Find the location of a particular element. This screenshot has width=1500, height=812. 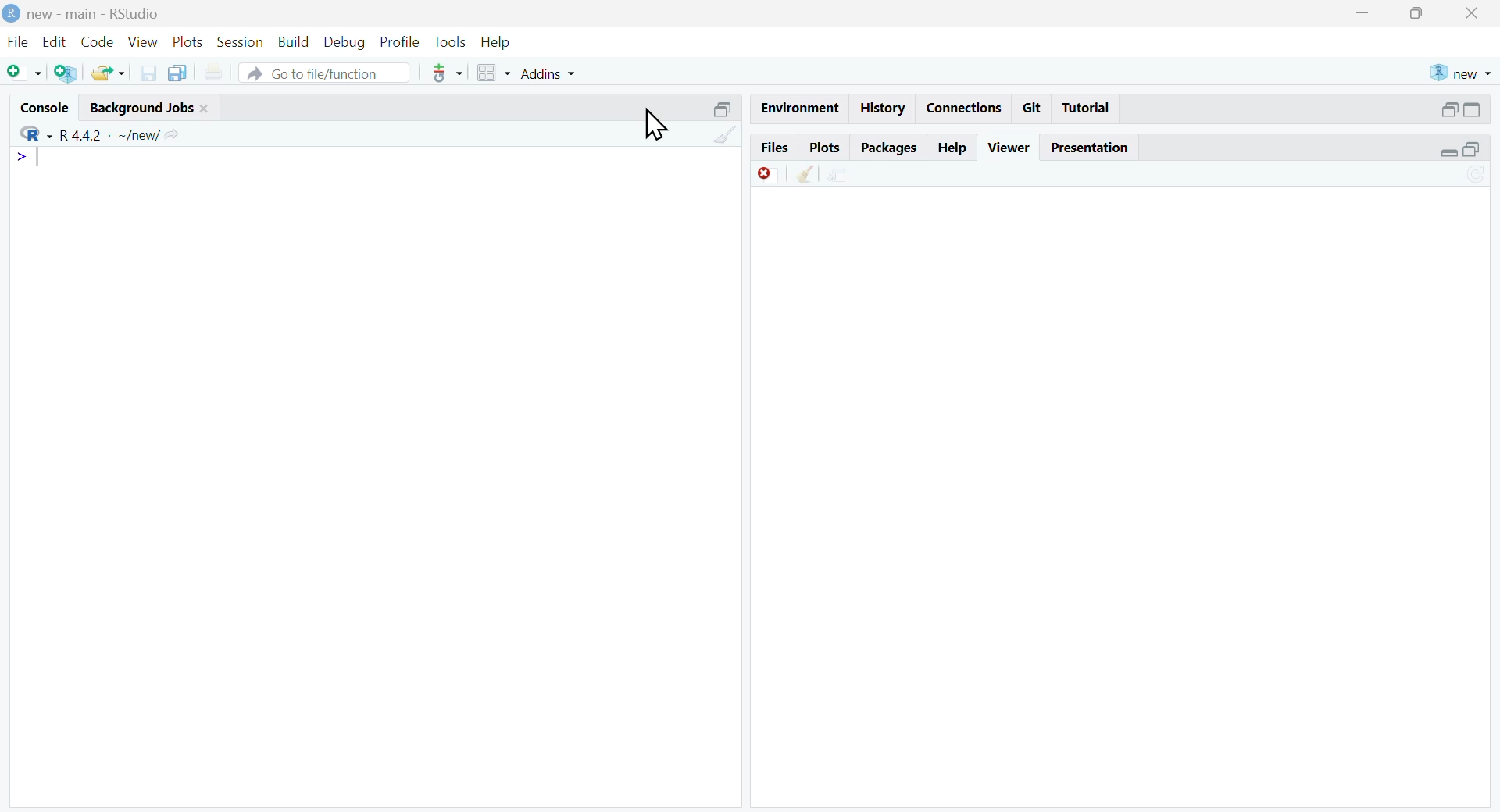

console is located at coordinates (46, 109).